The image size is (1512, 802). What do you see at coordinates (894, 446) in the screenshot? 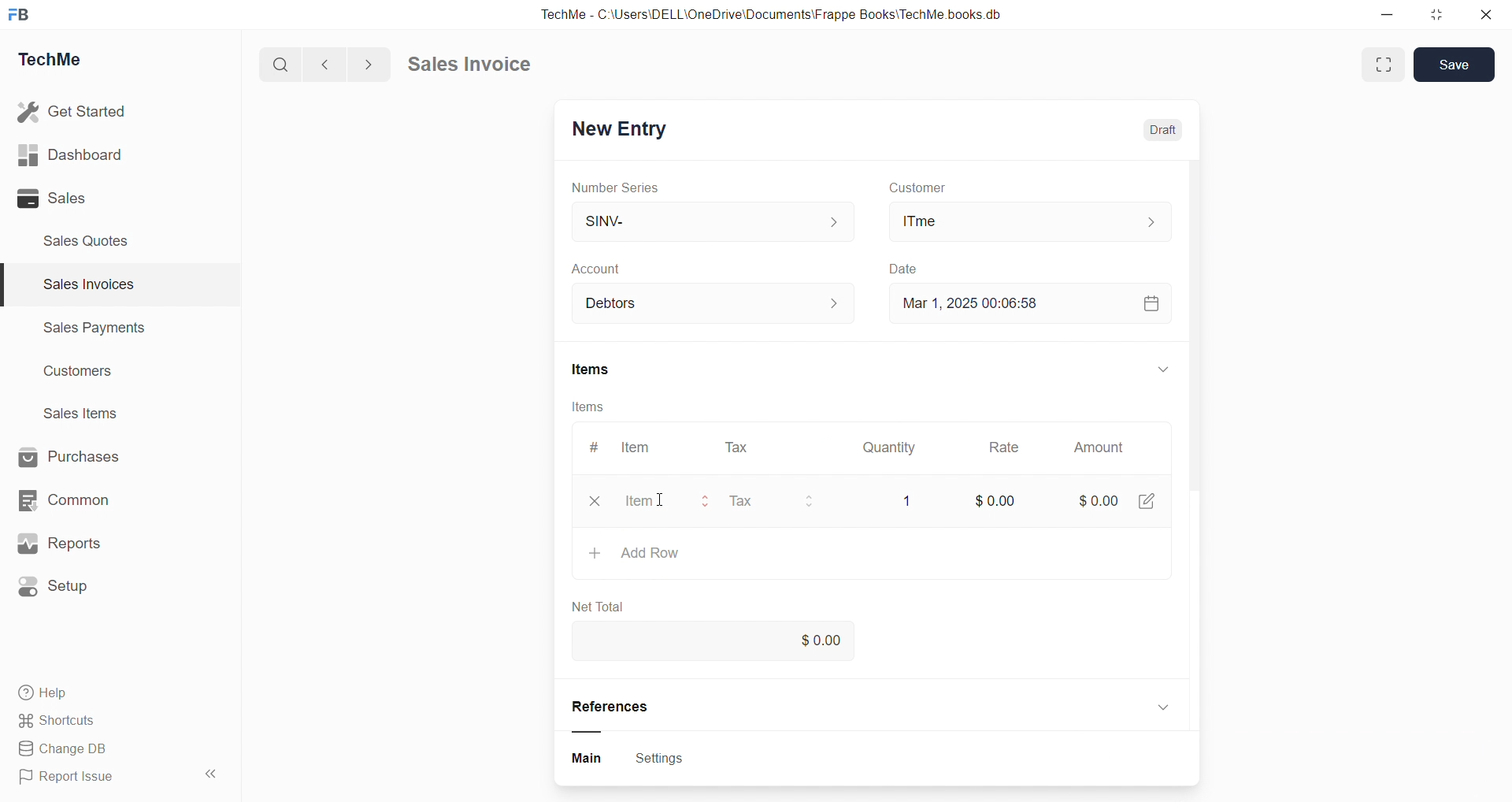
I see `Quantity` at bounding box center [894, 446].